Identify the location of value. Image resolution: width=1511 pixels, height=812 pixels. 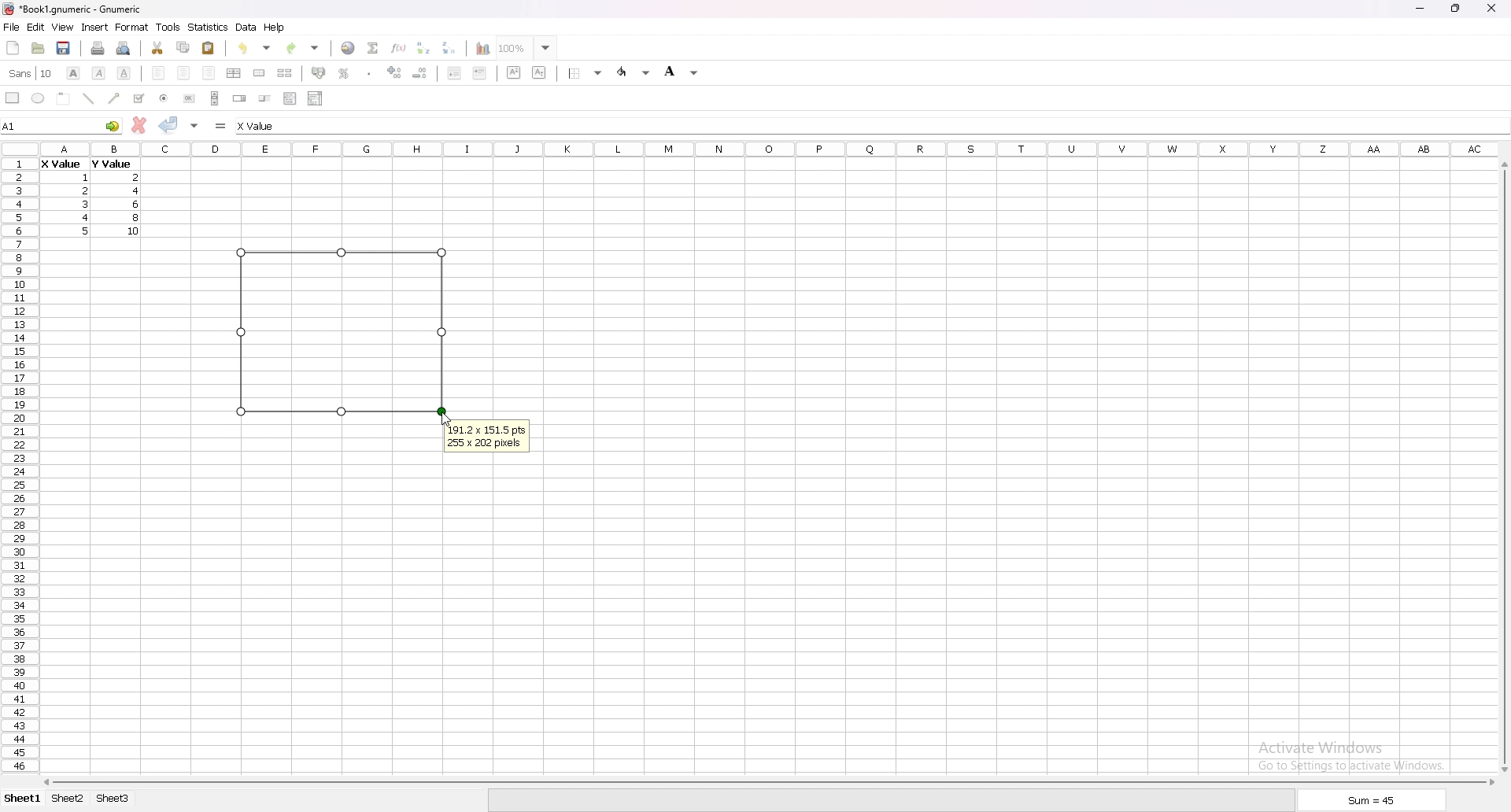
(136, 204).